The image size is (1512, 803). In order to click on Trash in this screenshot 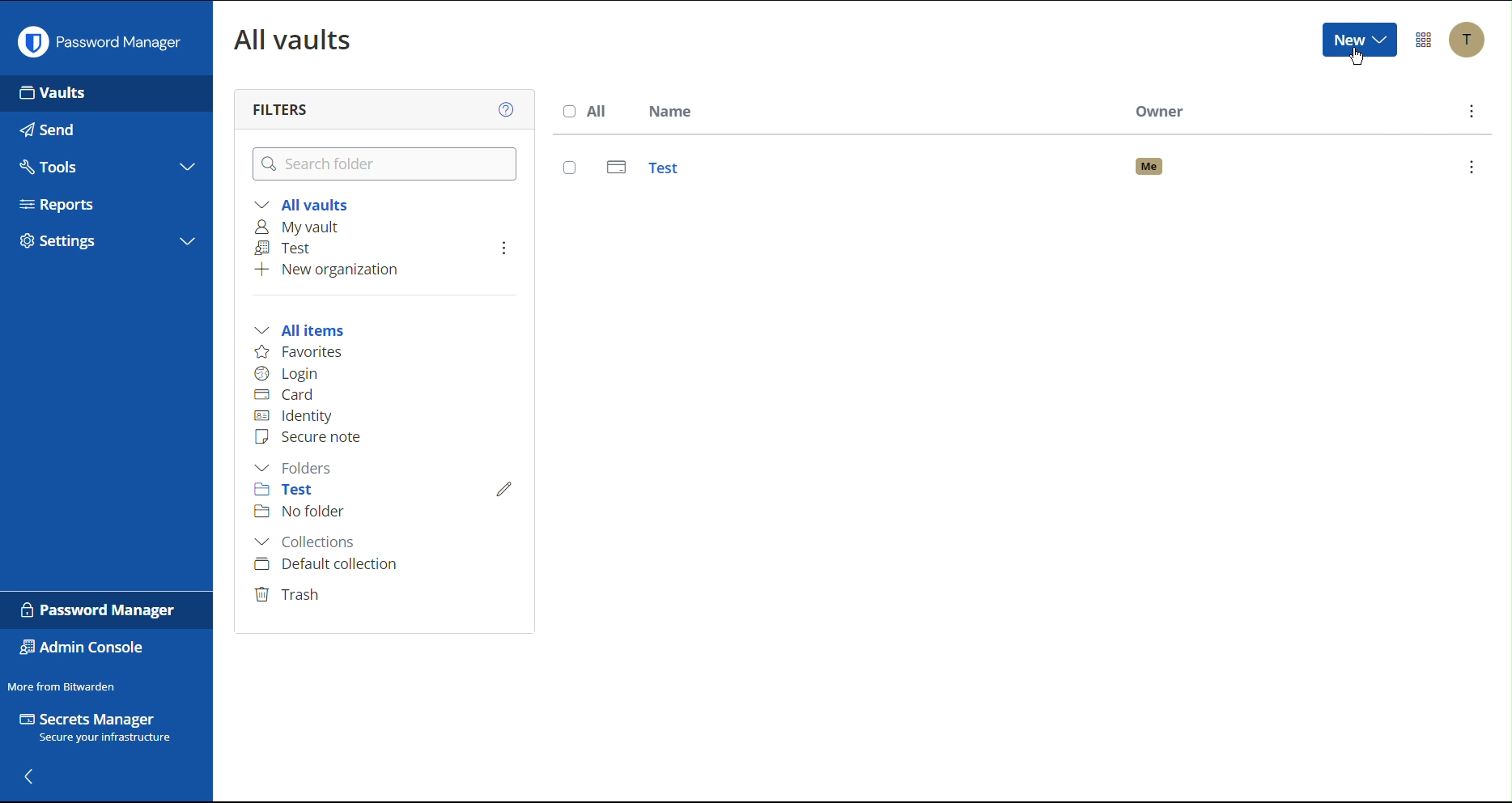, I will do `click(290, 592)`.